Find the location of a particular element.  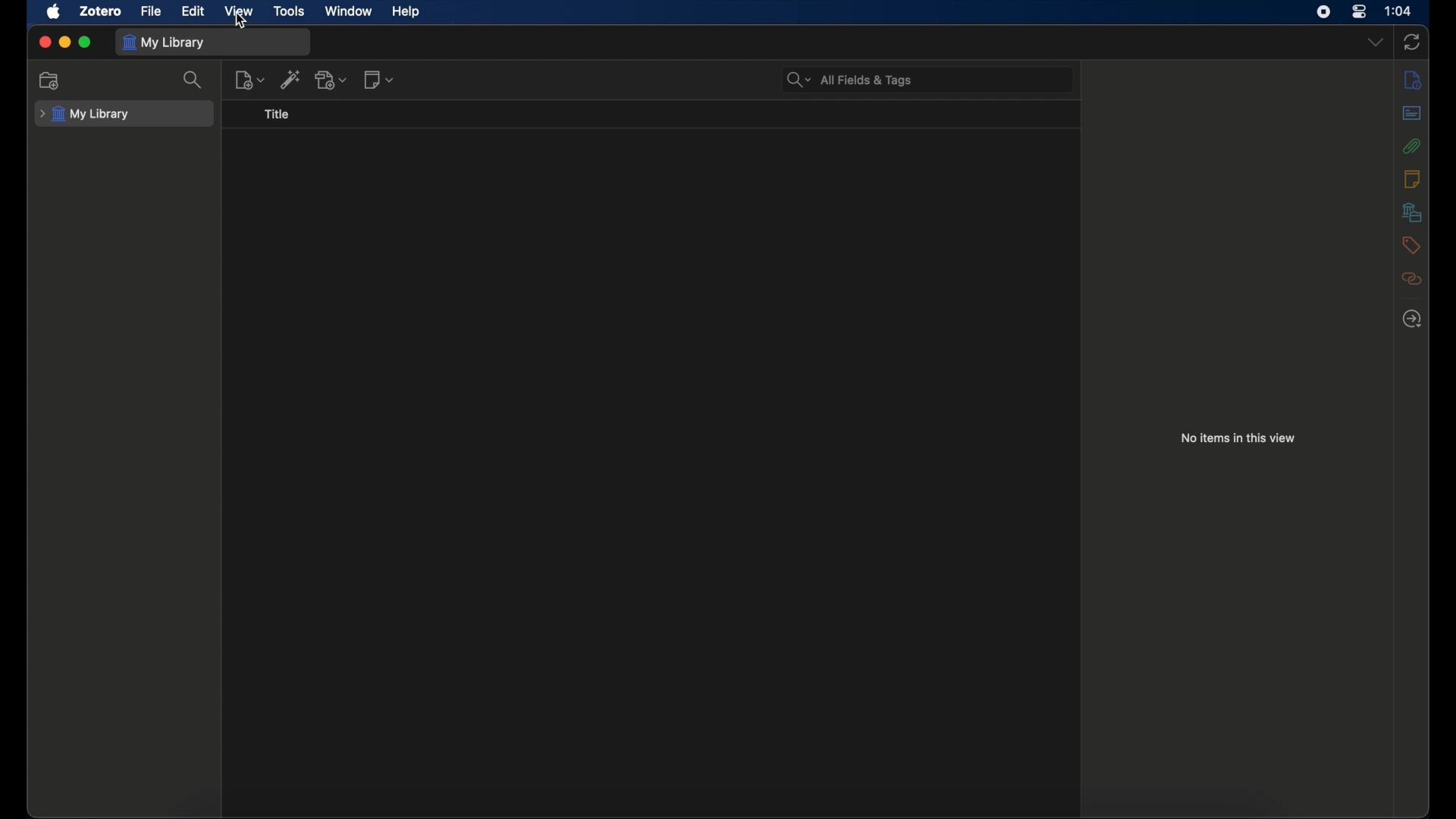

edit is located at coordinates (193, 11).